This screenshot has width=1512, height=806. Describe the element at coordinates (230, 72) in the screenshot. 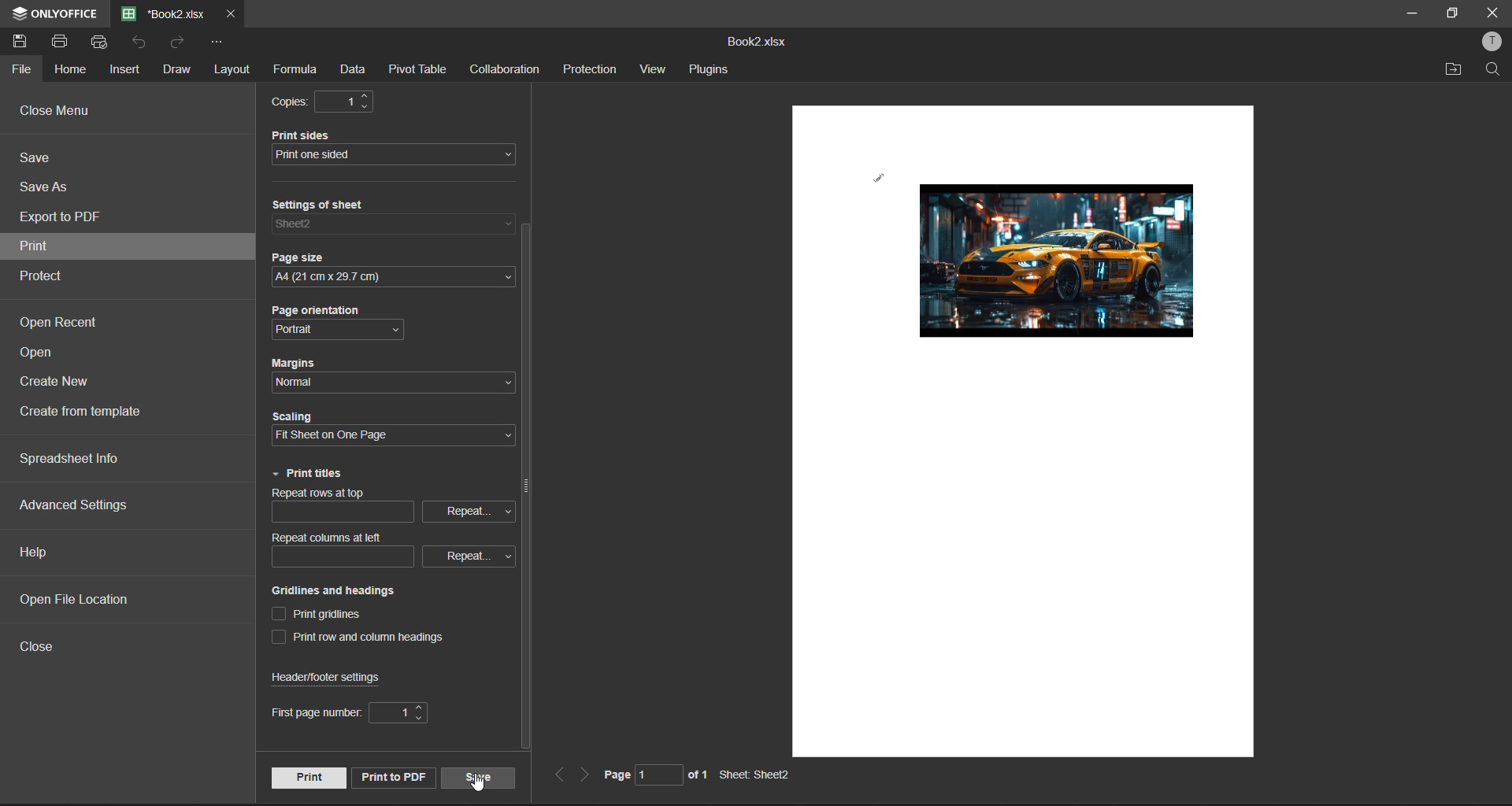

I see `layout` at that location.